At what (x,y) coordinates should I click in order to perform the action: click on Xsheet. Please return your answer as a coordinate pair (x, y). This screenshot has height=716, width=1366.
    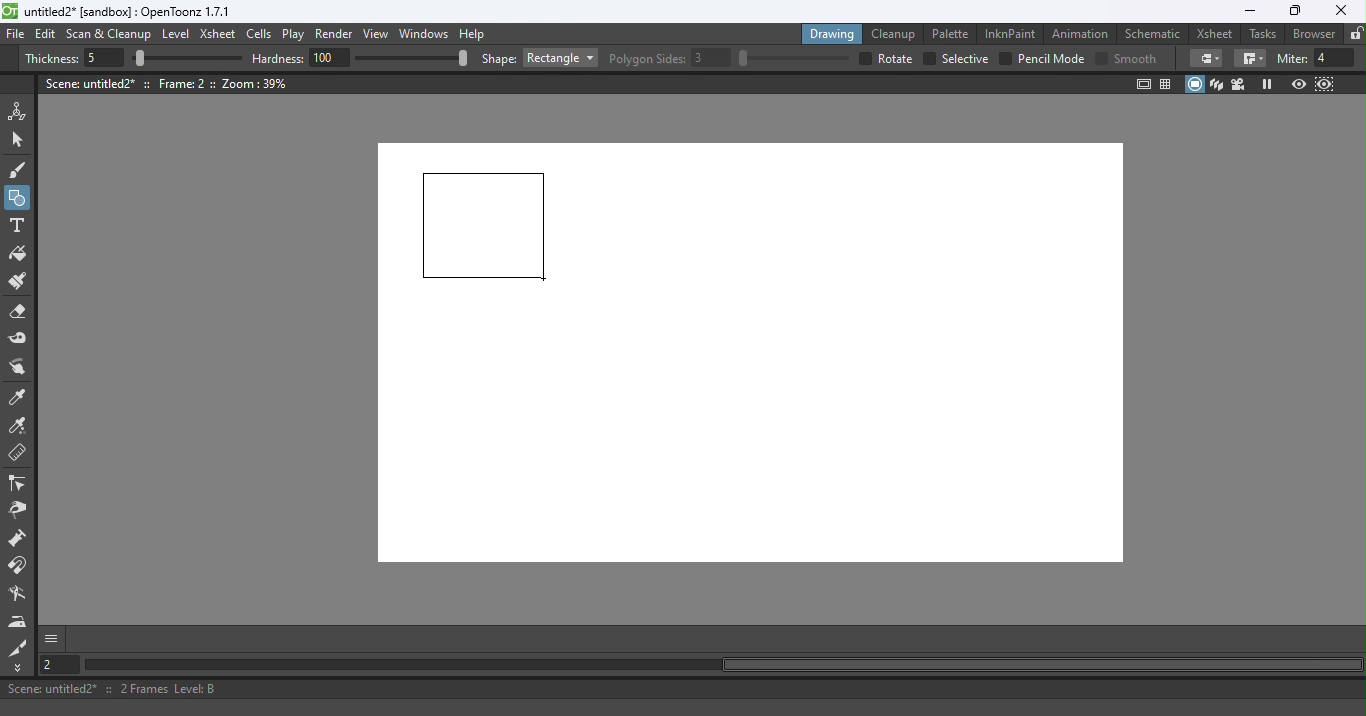
    Looking at the image, I should click on (1217, 33).